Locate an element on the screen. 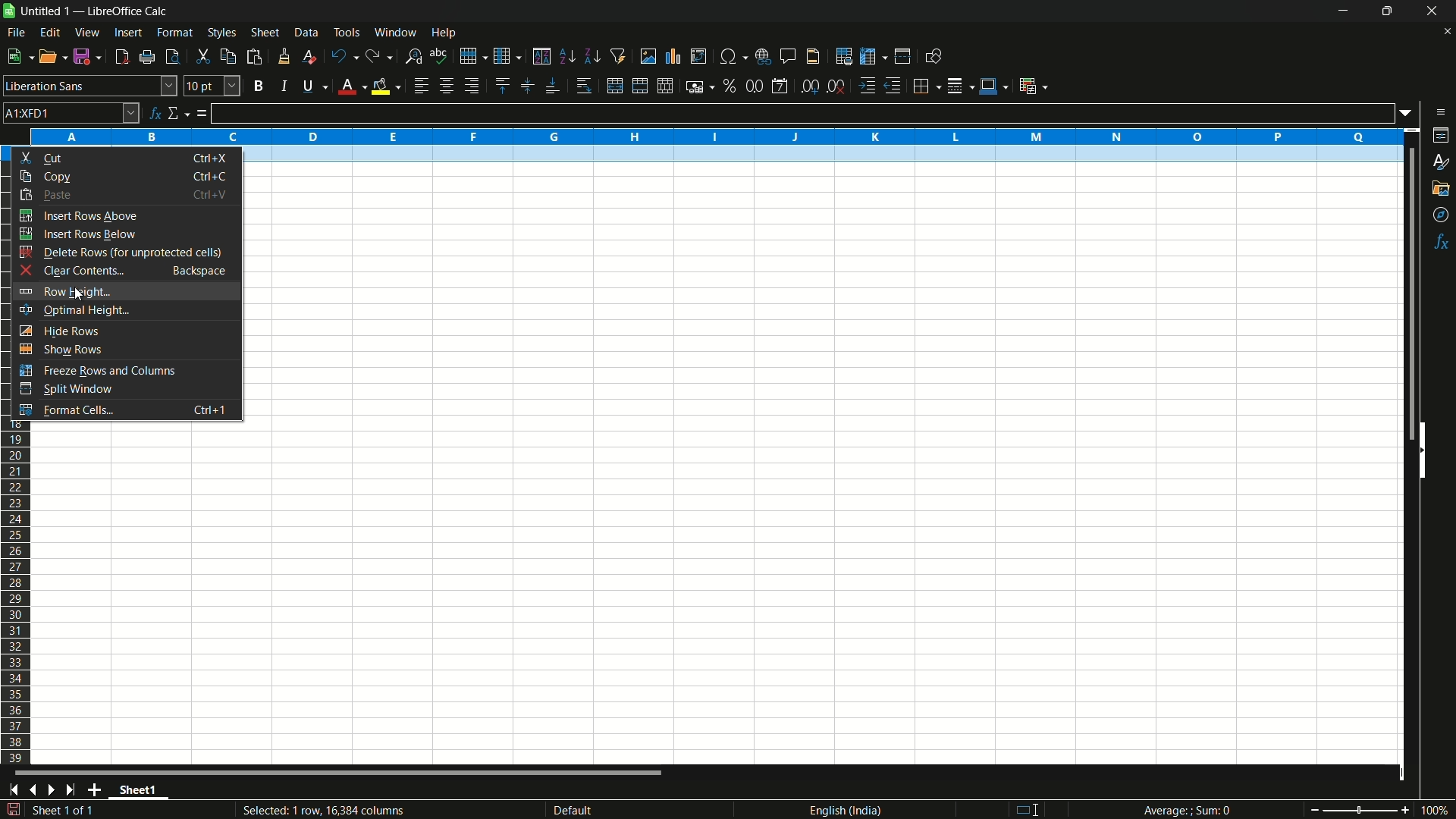  sort ascending is located at coordinates (566, 57).